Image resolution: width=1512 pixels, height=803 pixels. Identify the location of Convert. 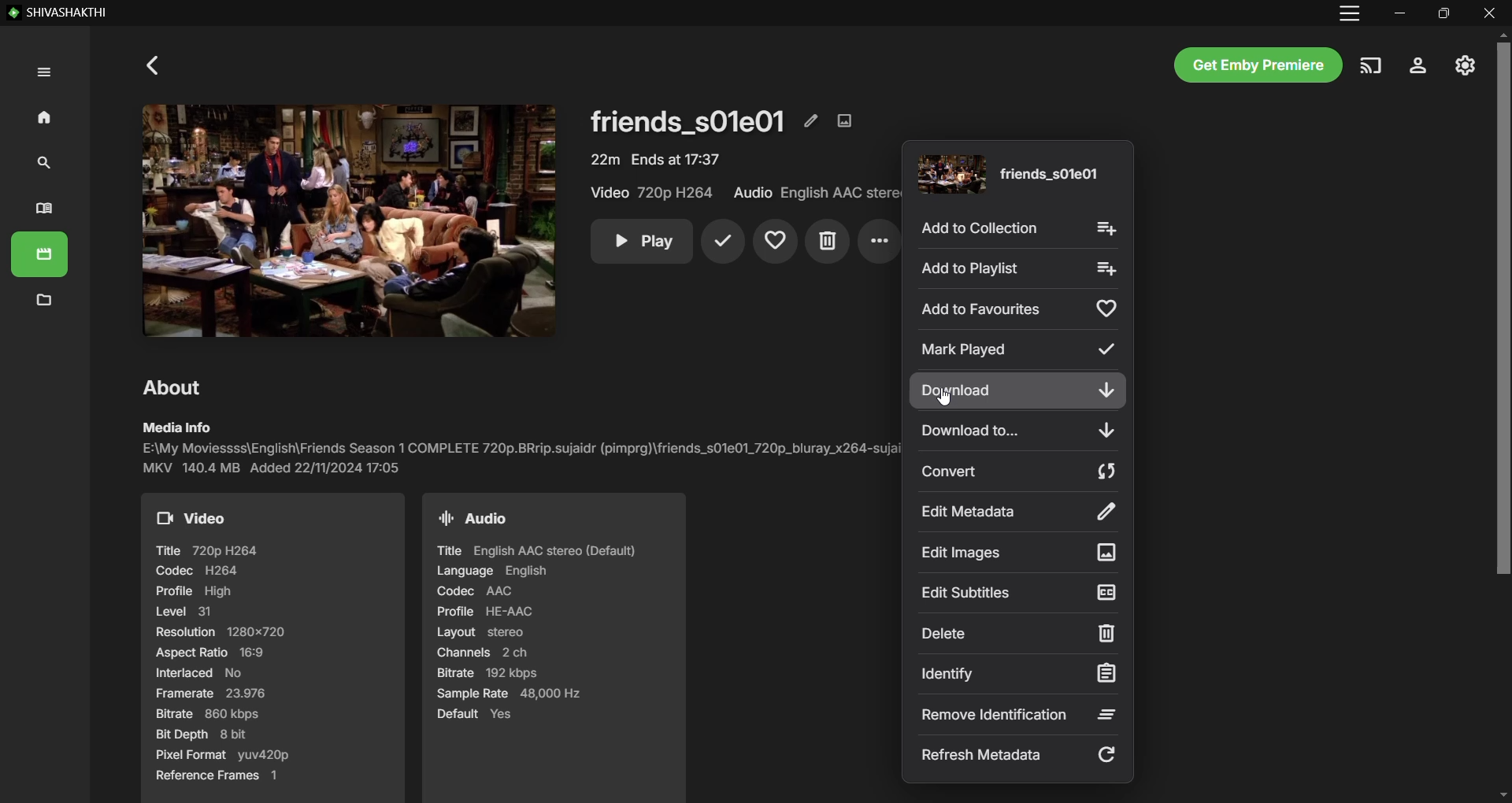
(1020, 470).